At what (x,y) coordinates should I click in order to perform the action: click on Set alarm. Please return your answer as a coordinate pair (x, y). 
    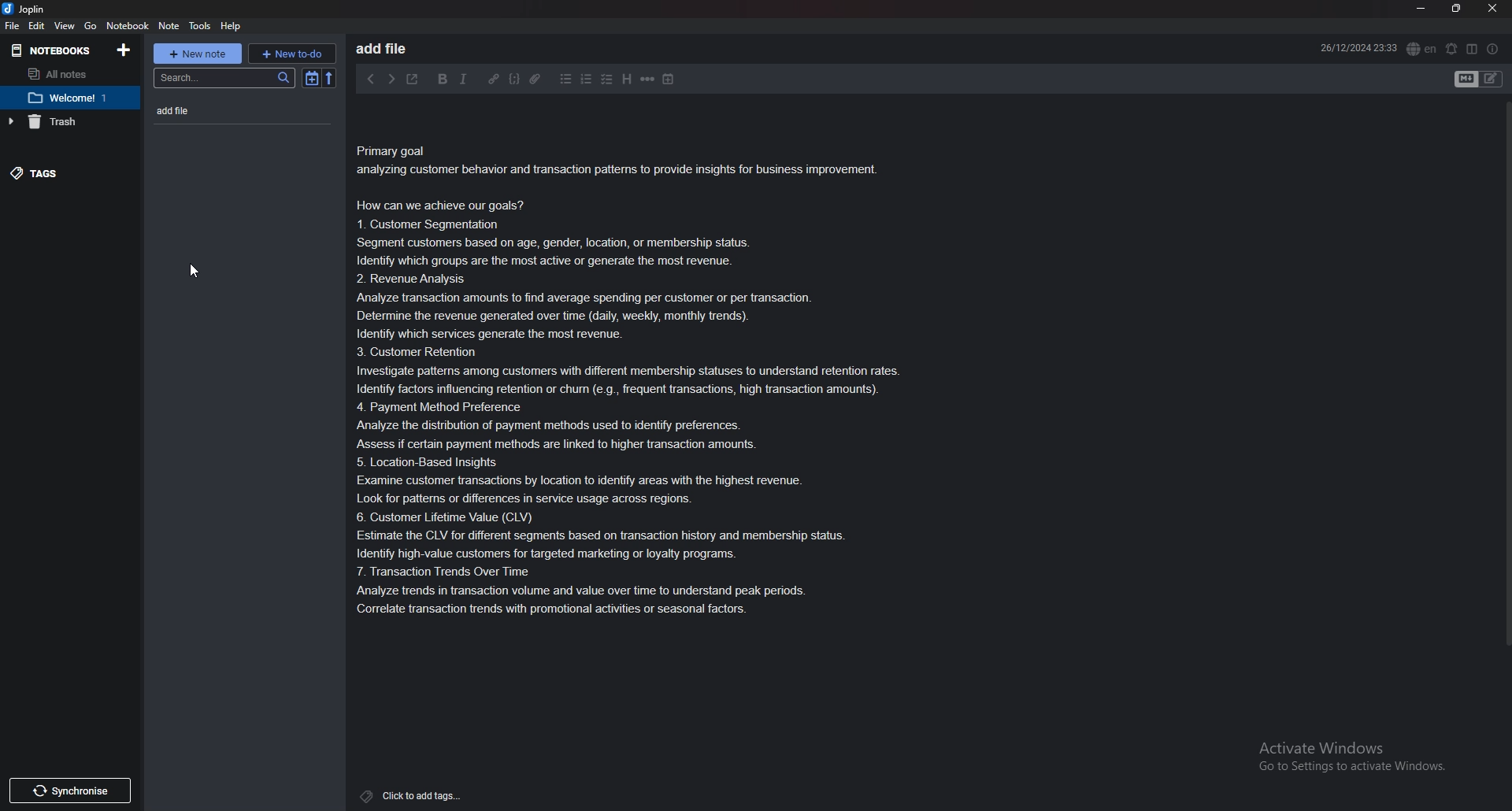
    Looking at the image, I should click on (1451, 49).